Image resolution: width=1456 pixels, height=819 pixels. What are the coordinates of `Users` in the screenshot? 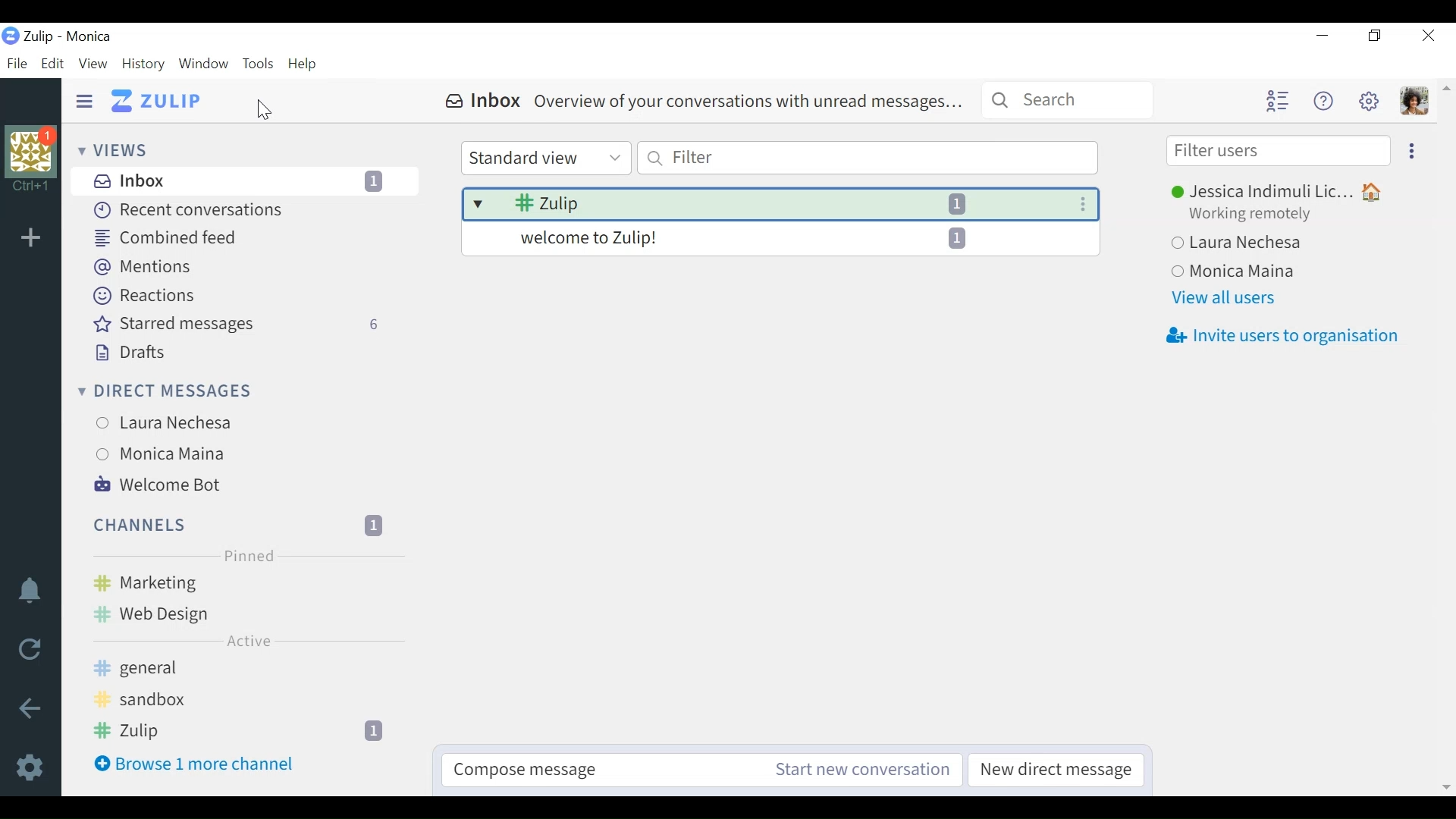 It's located at (1252, 269).